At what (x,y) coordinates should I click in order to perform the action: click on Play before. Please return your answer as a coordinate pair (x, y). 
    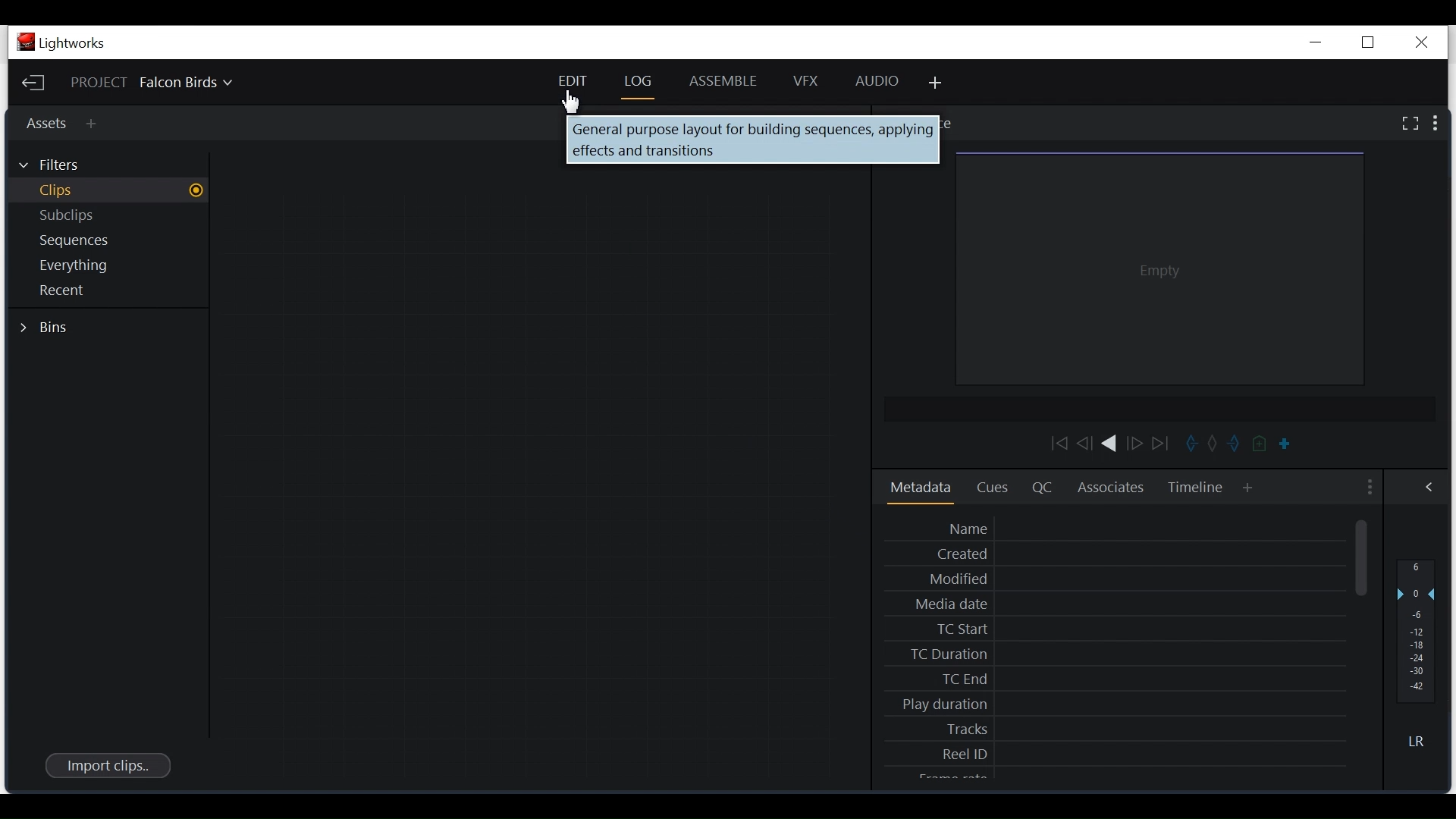
    Looking at the image, I should click on (1086, 444).